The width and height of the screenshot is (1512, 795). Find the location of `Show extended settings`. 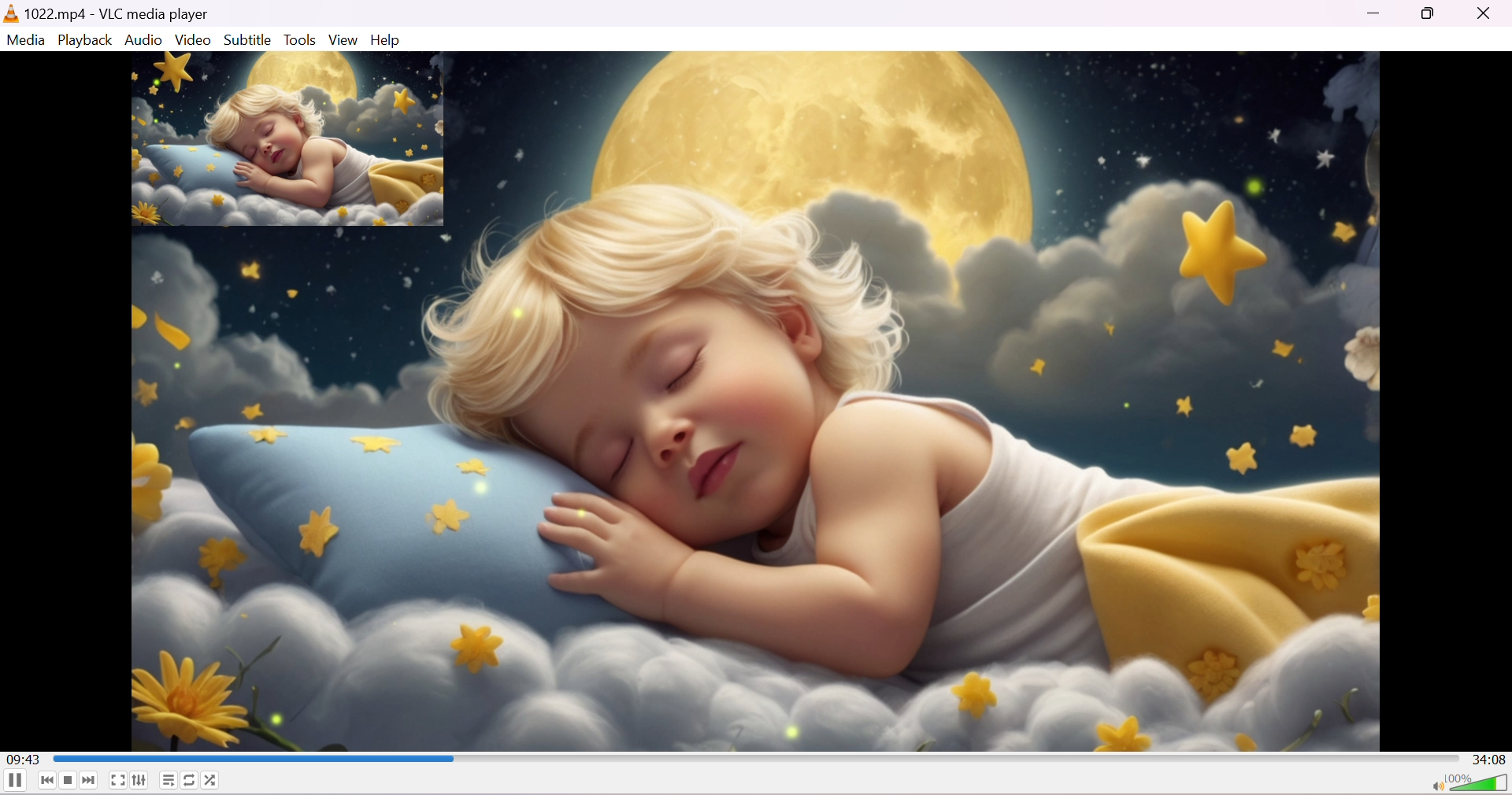

Show extended settings is located at coordinates (139, 782).